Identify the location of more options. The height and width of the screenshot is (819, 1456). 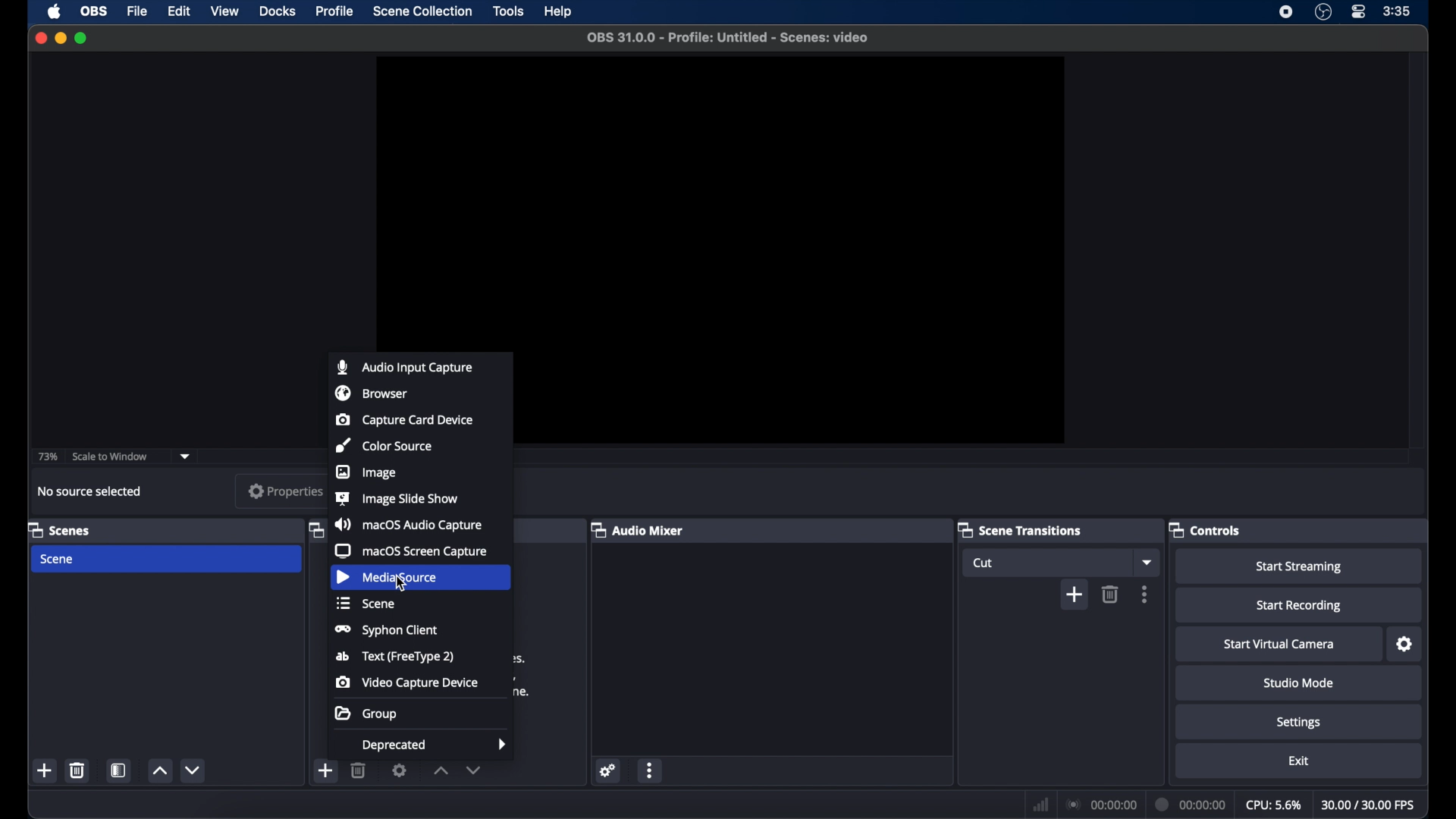
(1145, 593).